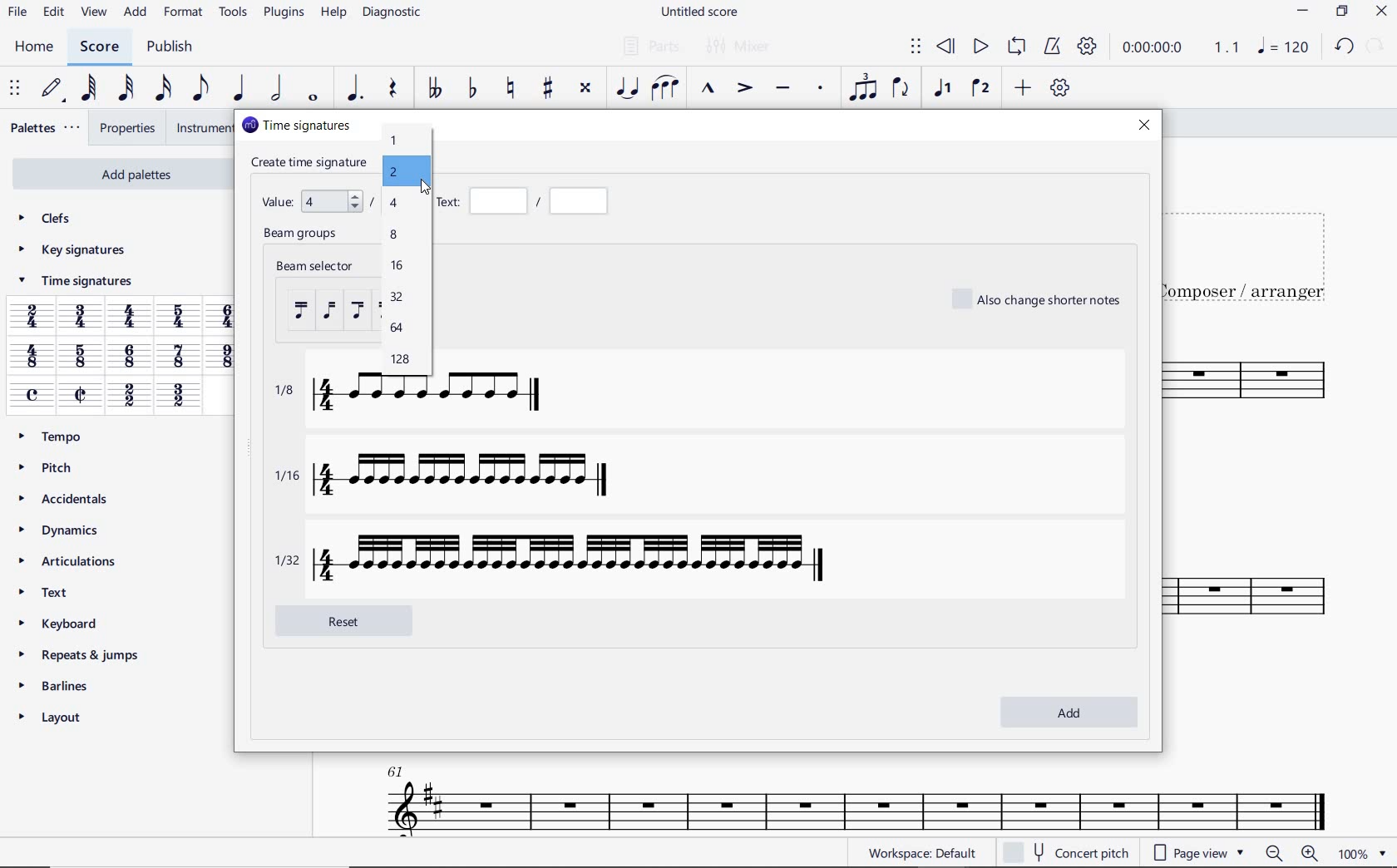 The width and height of the screenshot is (1397, 868). Describe the element at coordinates (392, 13) in the screenshot. I see `DIAGNOSTIC` at that location.